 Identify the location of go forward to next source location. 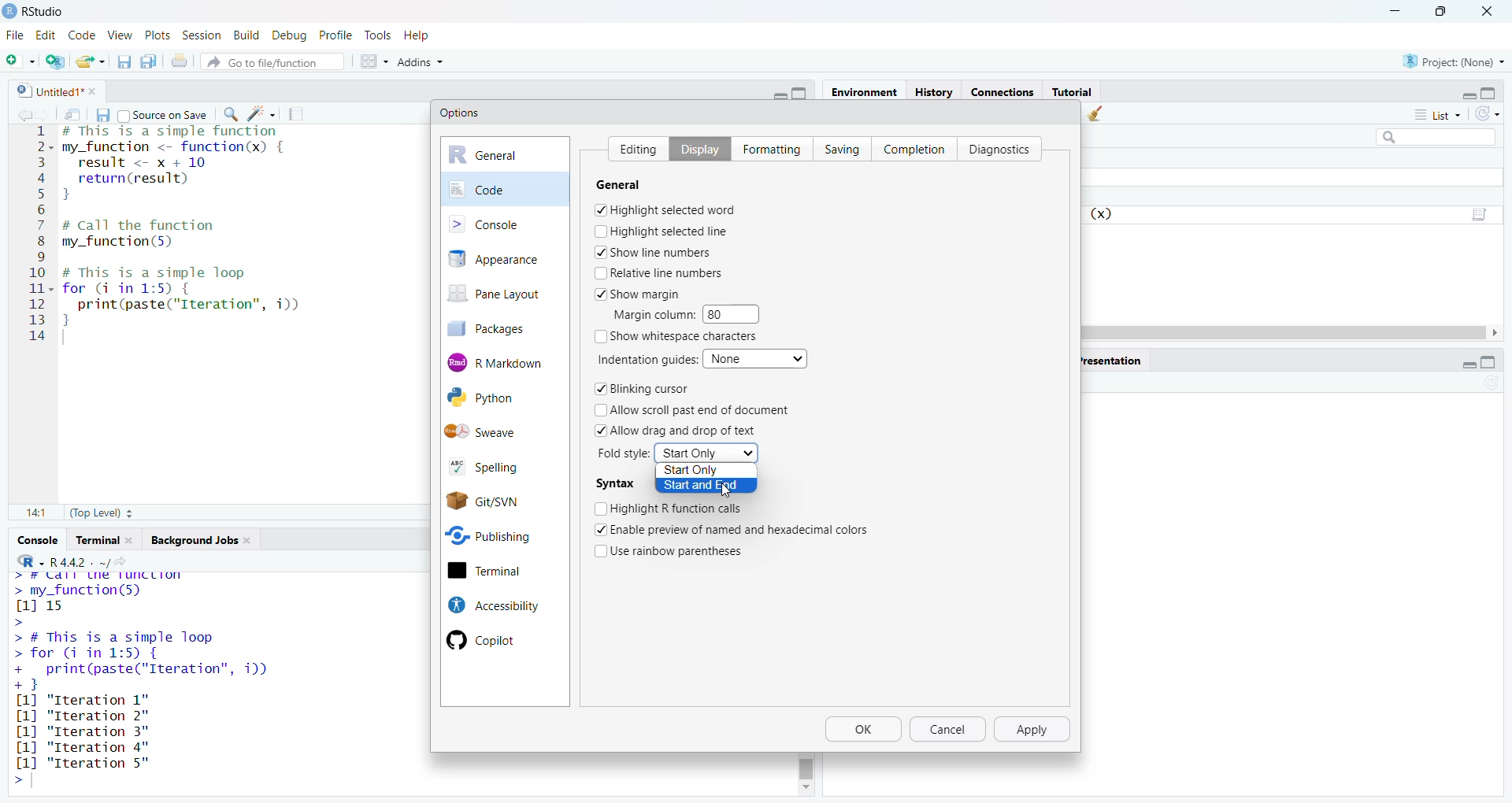
(46, 113).